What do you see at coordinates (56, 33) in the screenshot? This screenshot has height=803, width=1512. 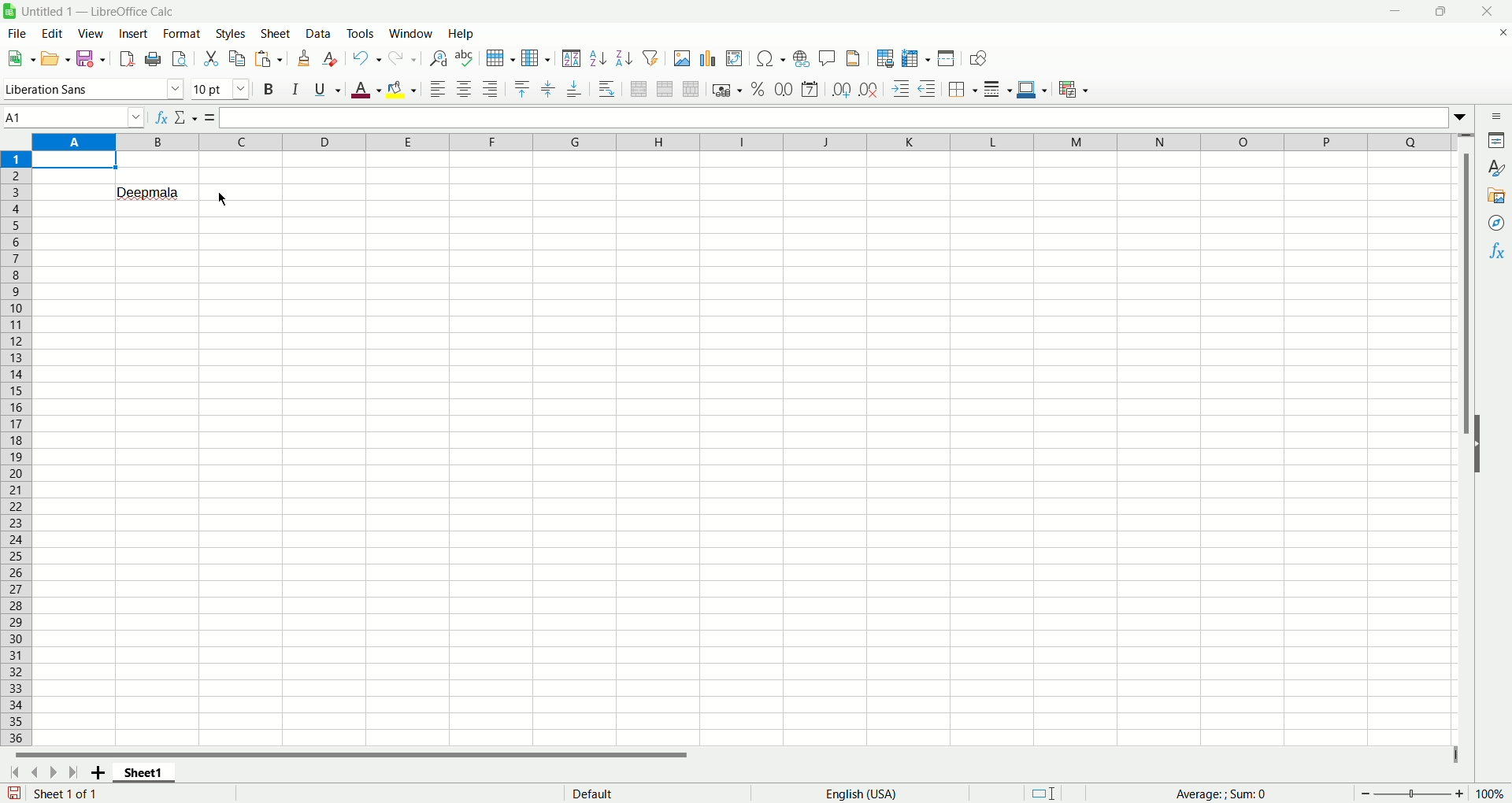 I see `Edit` at bounding box center [56, 33].